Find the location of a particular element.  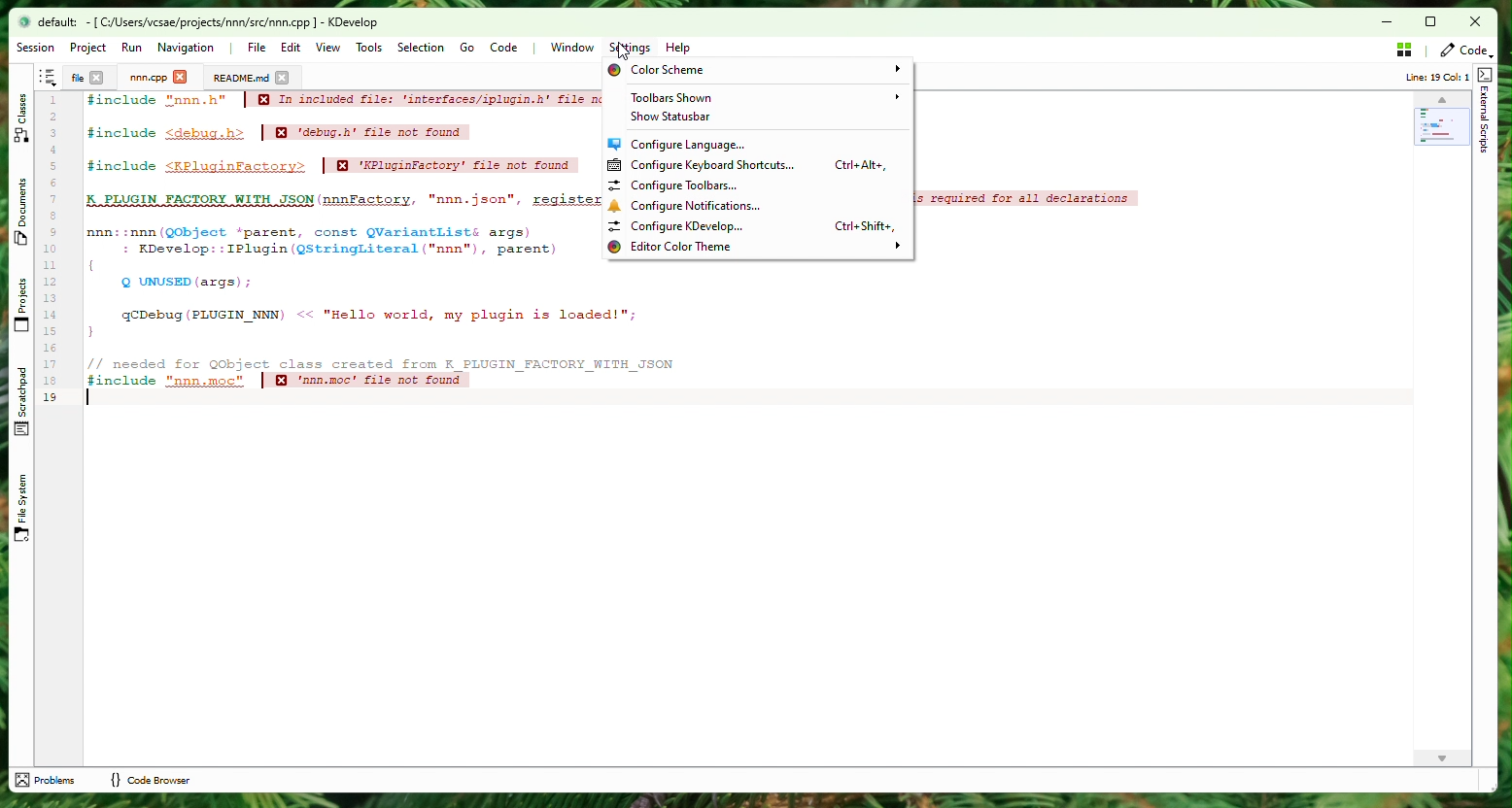

9 is located at coordinates (52, 232).